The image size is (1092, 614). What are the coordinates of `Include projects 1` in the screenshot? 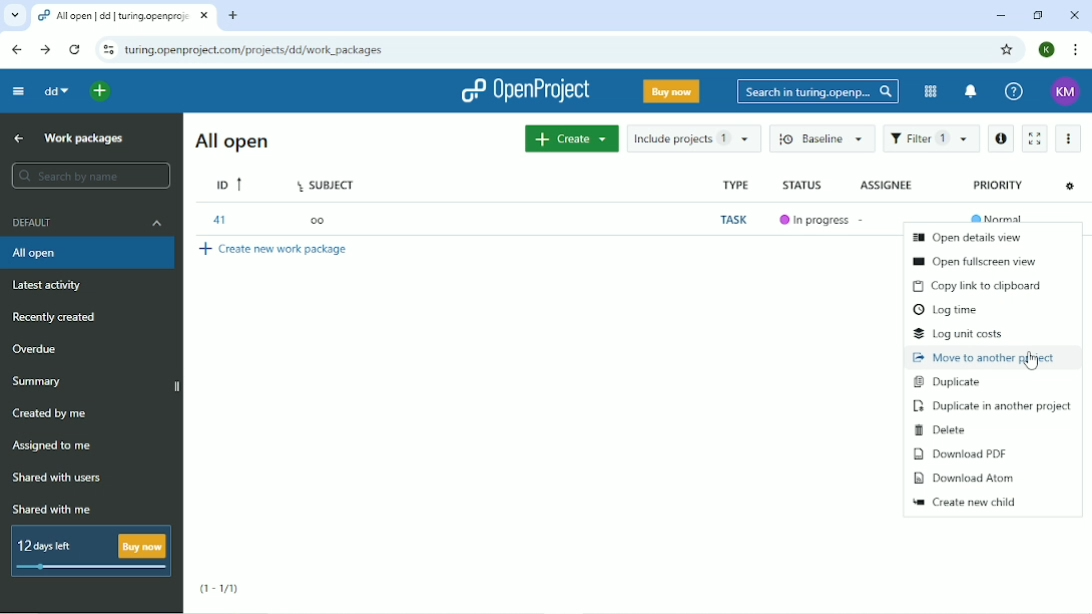 It's located at (694, 140).